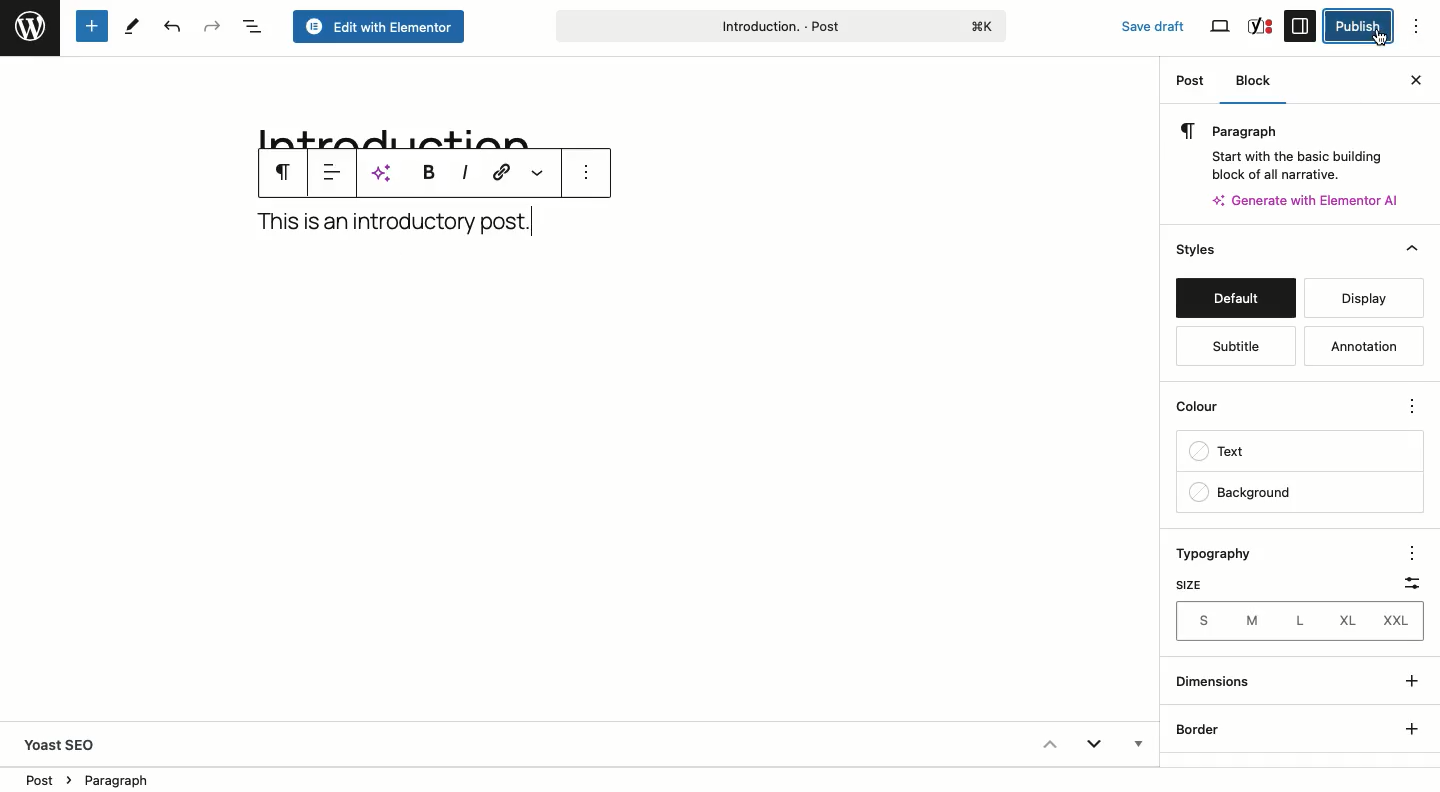 This screenshot has height=792, width=1440. Describe the element at coordinates (1232, 347) in the screenshot. I see `Subtitle` at that location.